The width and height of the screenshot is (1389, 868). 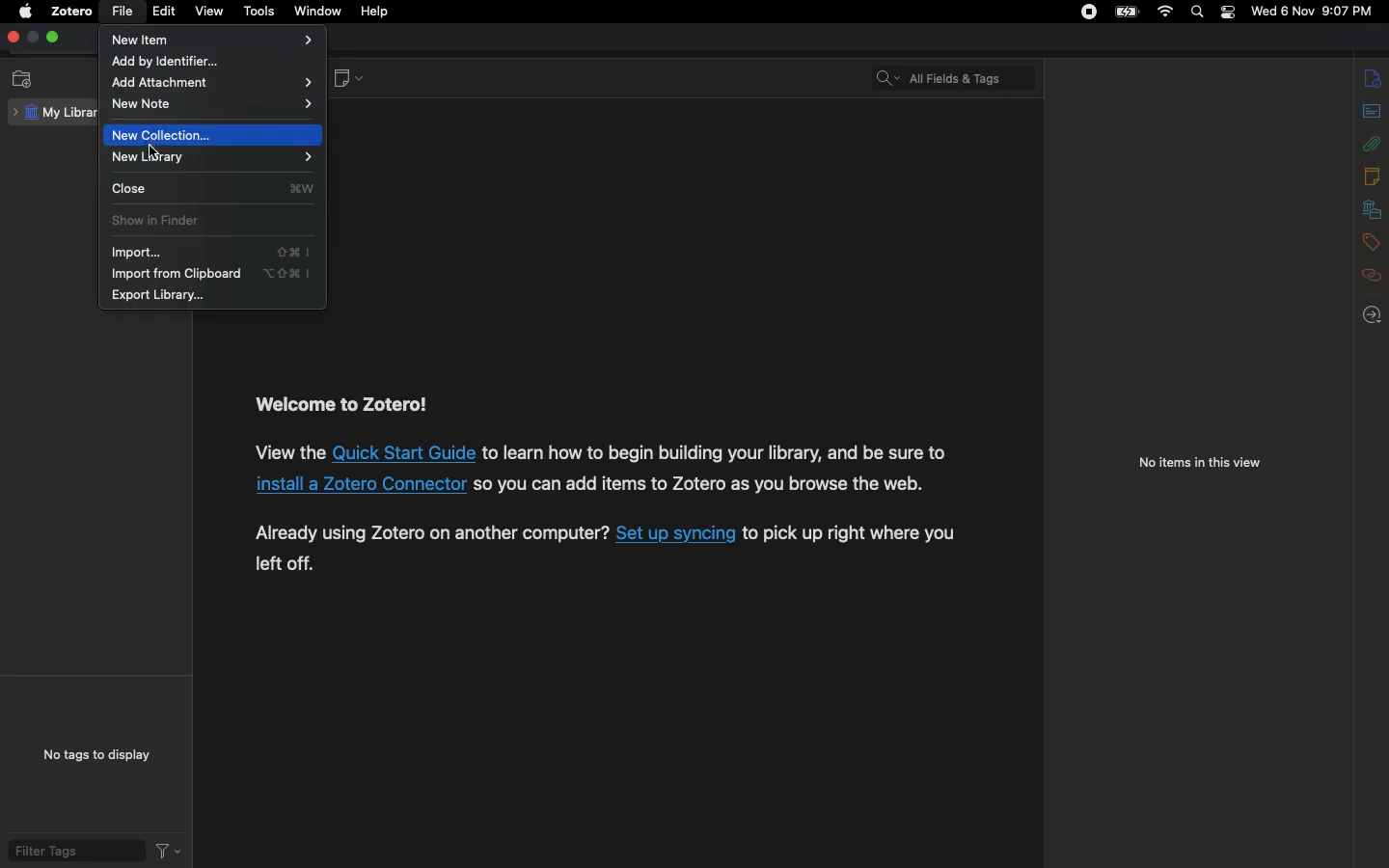 I want to click on Attachments, so click(x=1373, y=141).